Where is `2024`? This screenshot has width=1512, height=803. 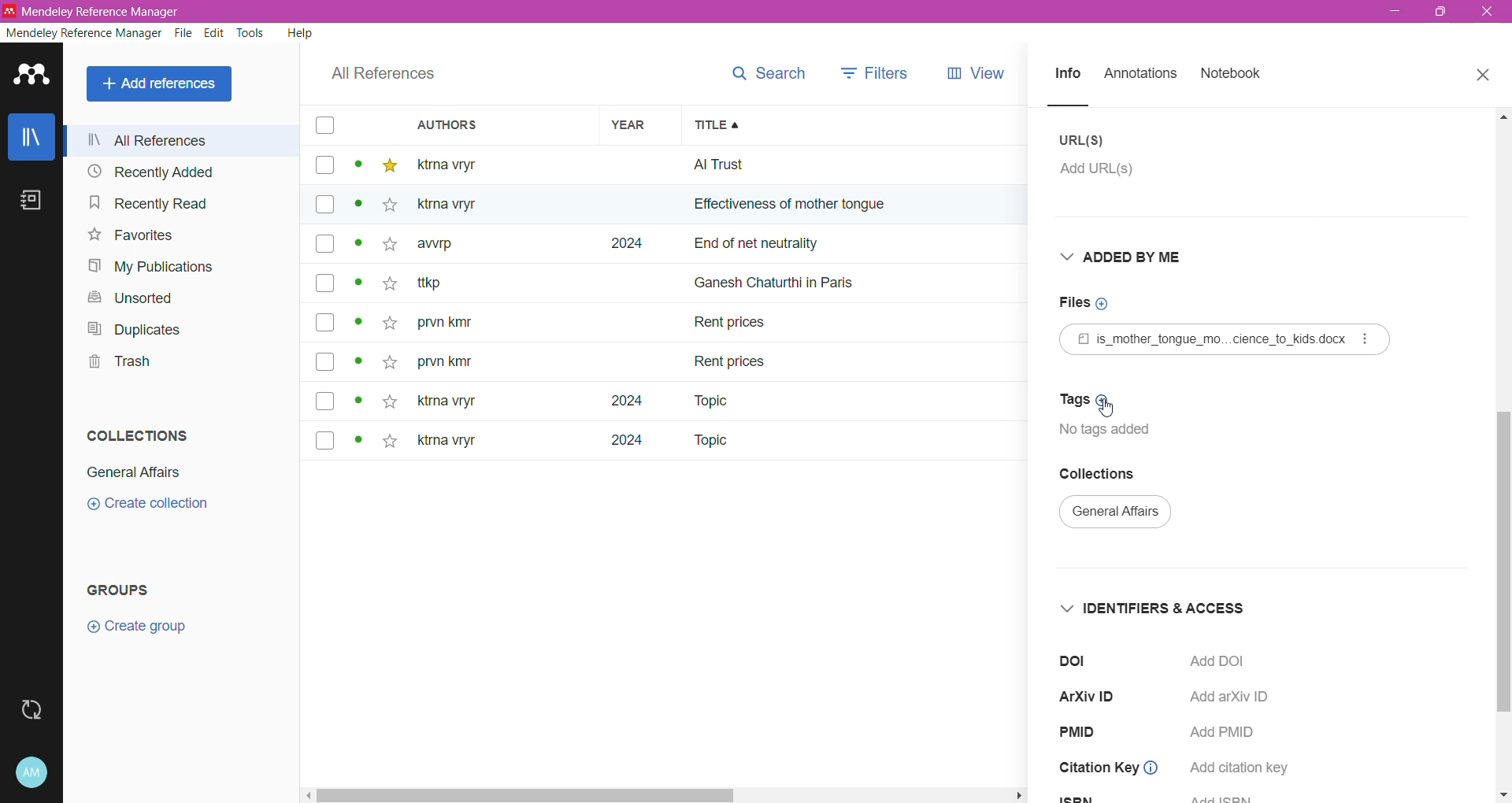
2024 is located at coordinates (623, 244).